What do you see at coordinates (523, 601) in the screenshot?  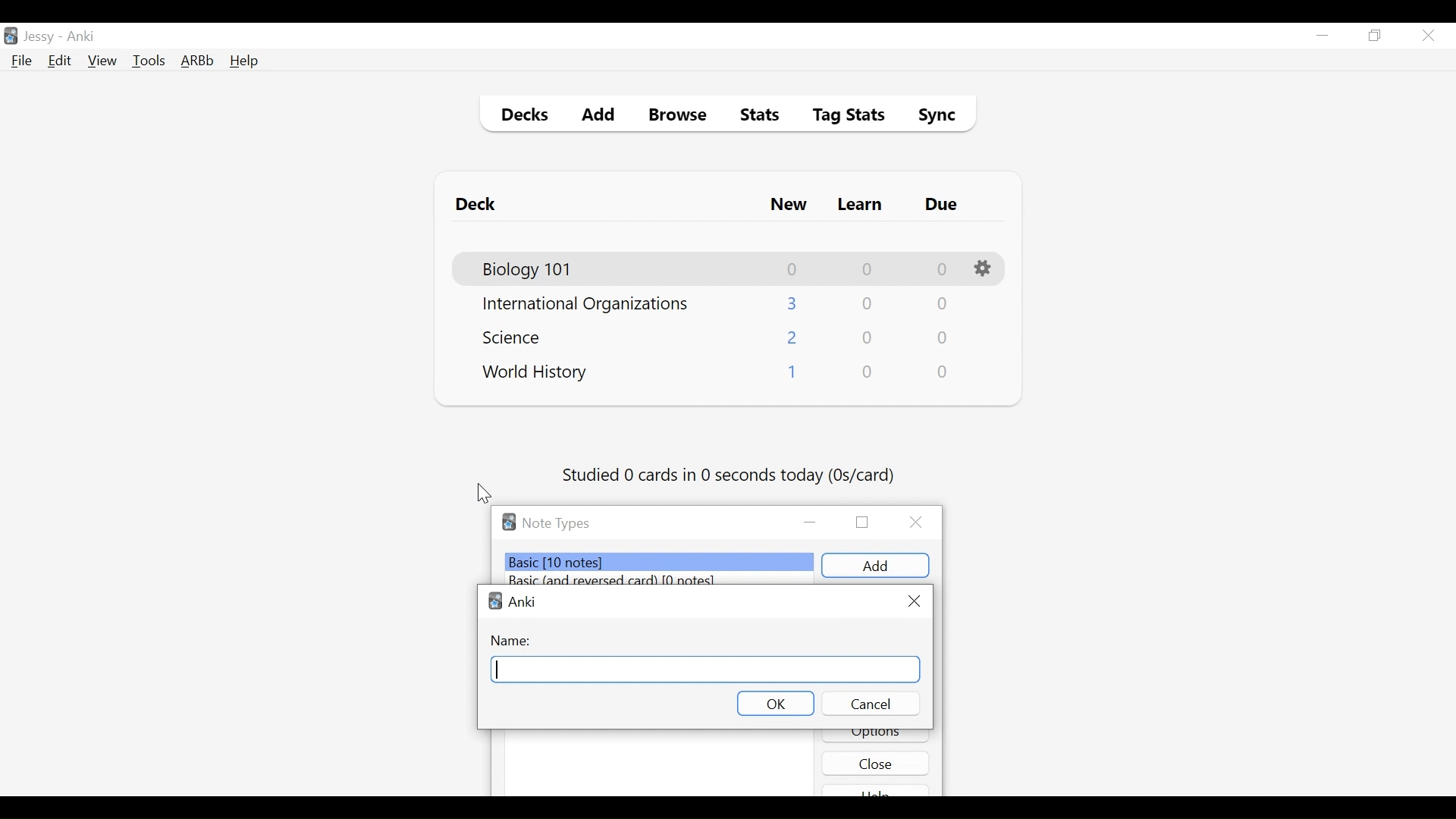 I see `Software name` at bounding box center [523, 601].